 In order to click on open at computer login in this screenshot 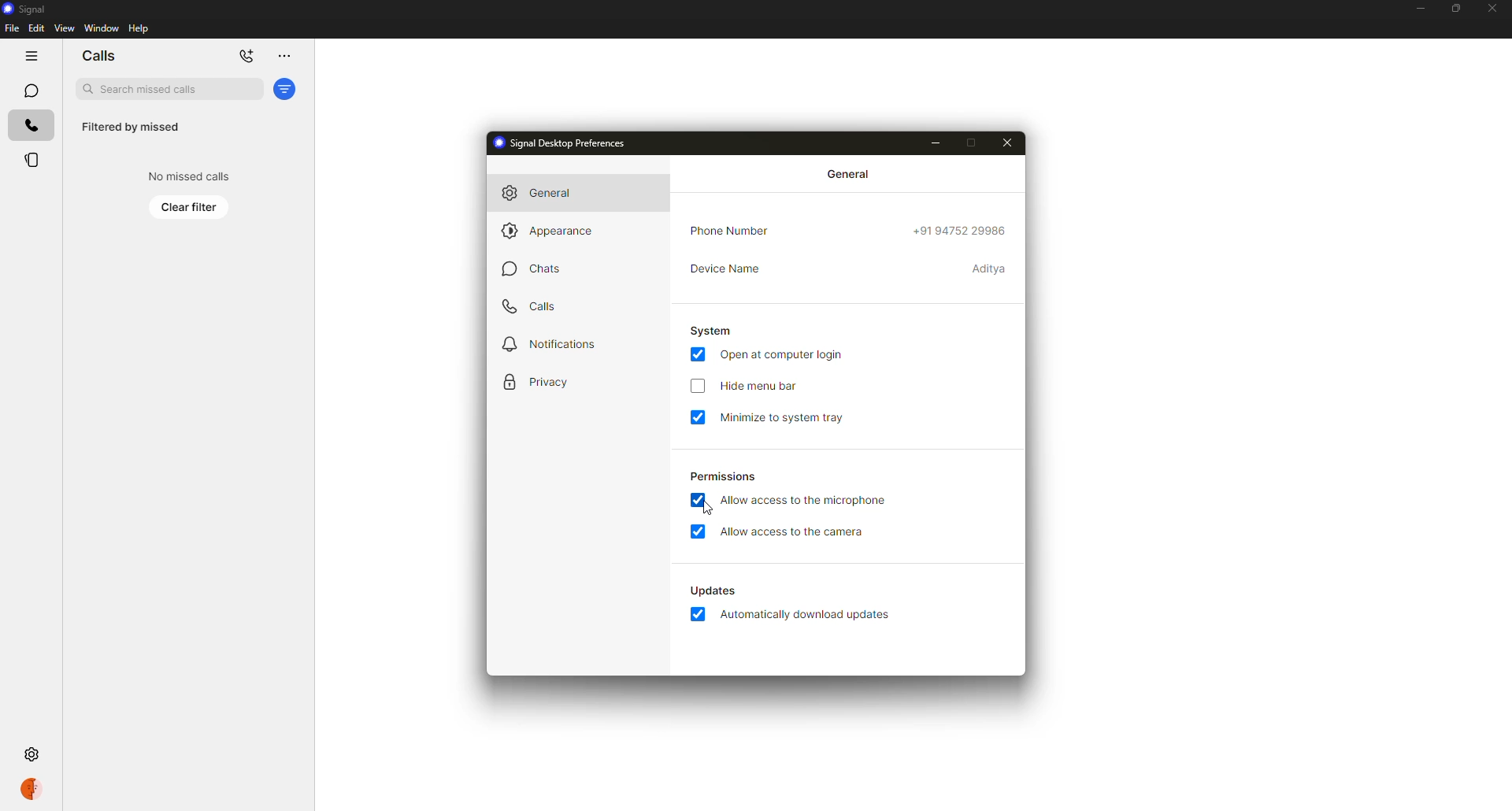, I will do `click(784, 355)`.